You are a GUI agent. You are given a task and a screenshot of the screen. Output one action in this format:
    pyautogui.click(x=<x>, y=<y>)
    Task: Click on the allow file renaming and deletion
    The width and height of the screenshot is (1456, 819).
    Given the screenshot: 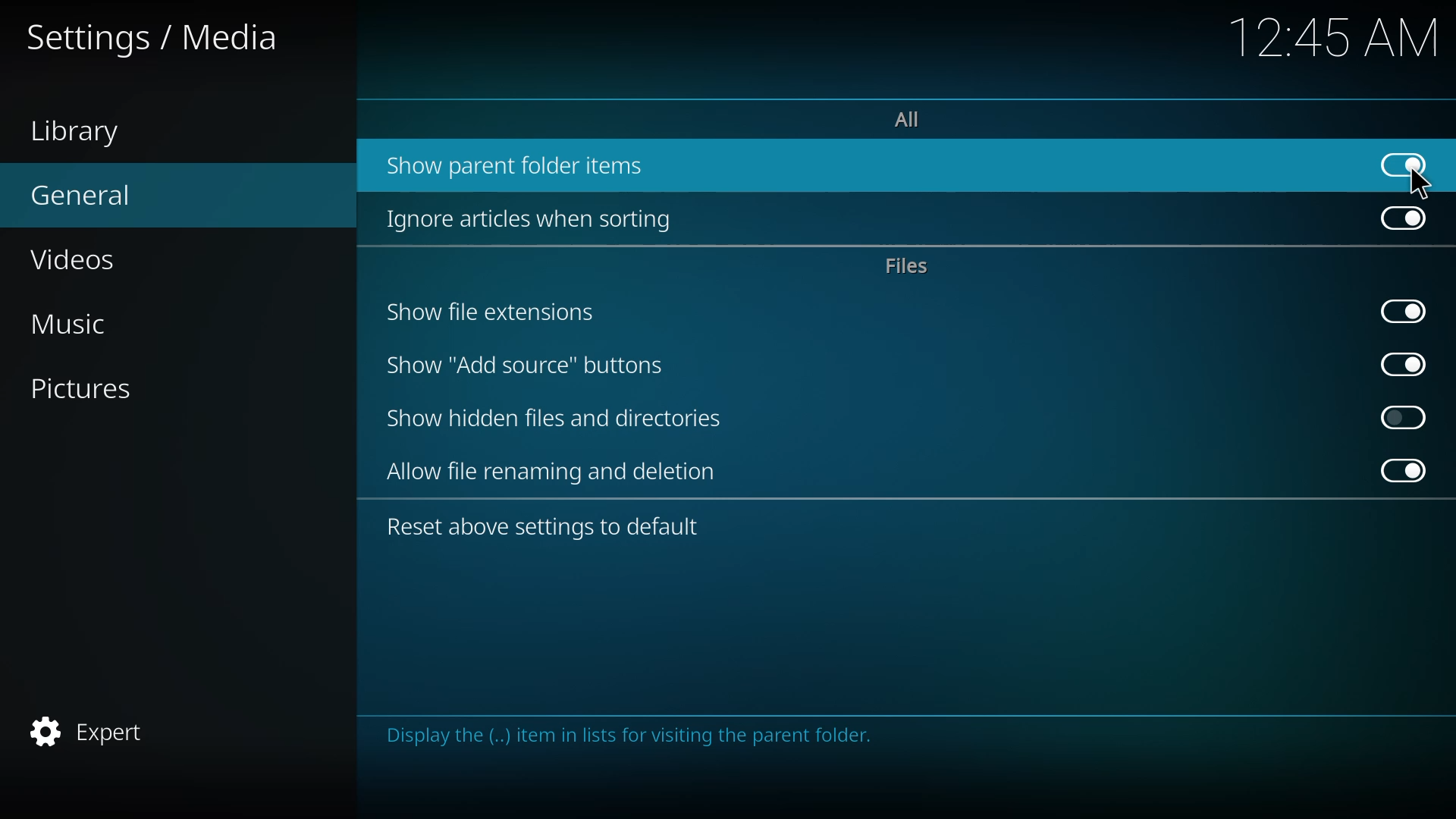 What is the action you would take?
    pyautogui.click(x=556, y=472)
    